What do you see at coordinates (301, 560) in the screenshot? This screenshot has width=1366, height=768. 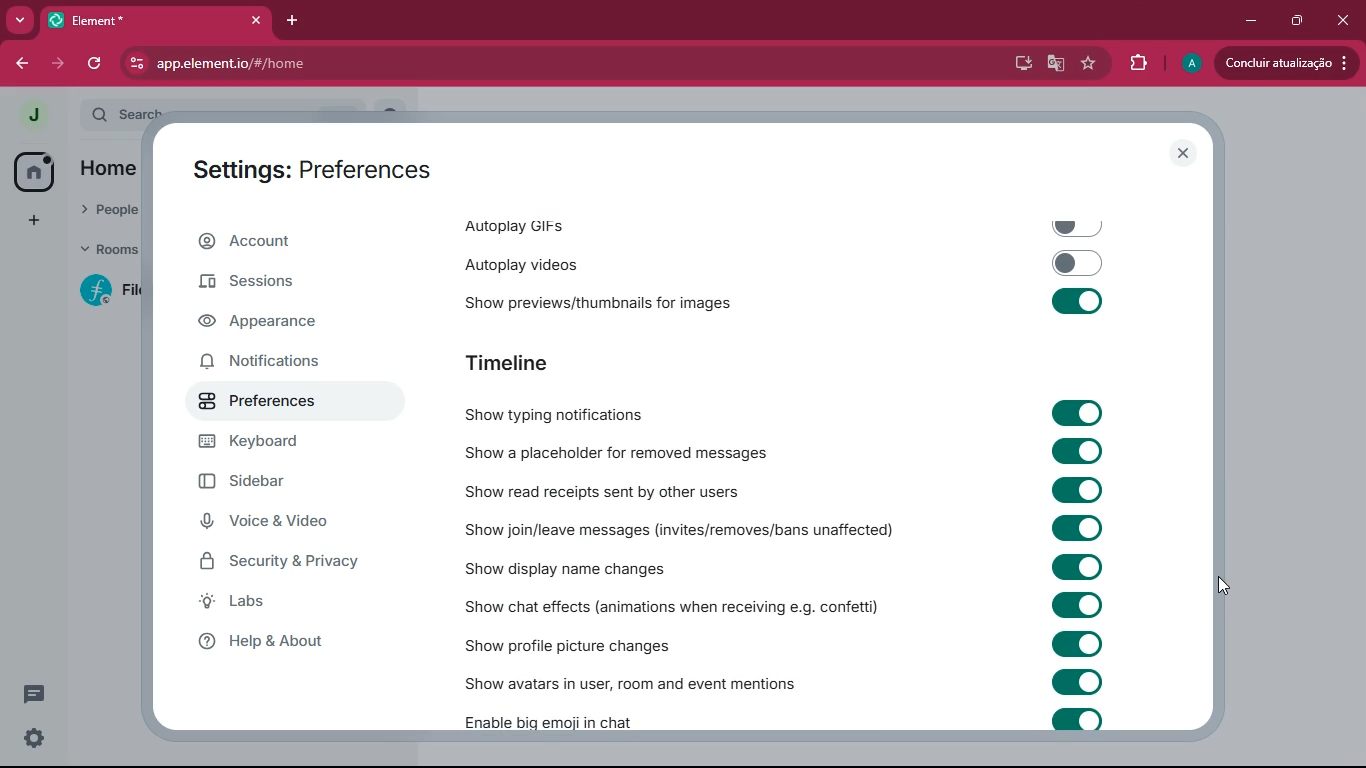 I see `security & security` at bounding box center [301, 560].